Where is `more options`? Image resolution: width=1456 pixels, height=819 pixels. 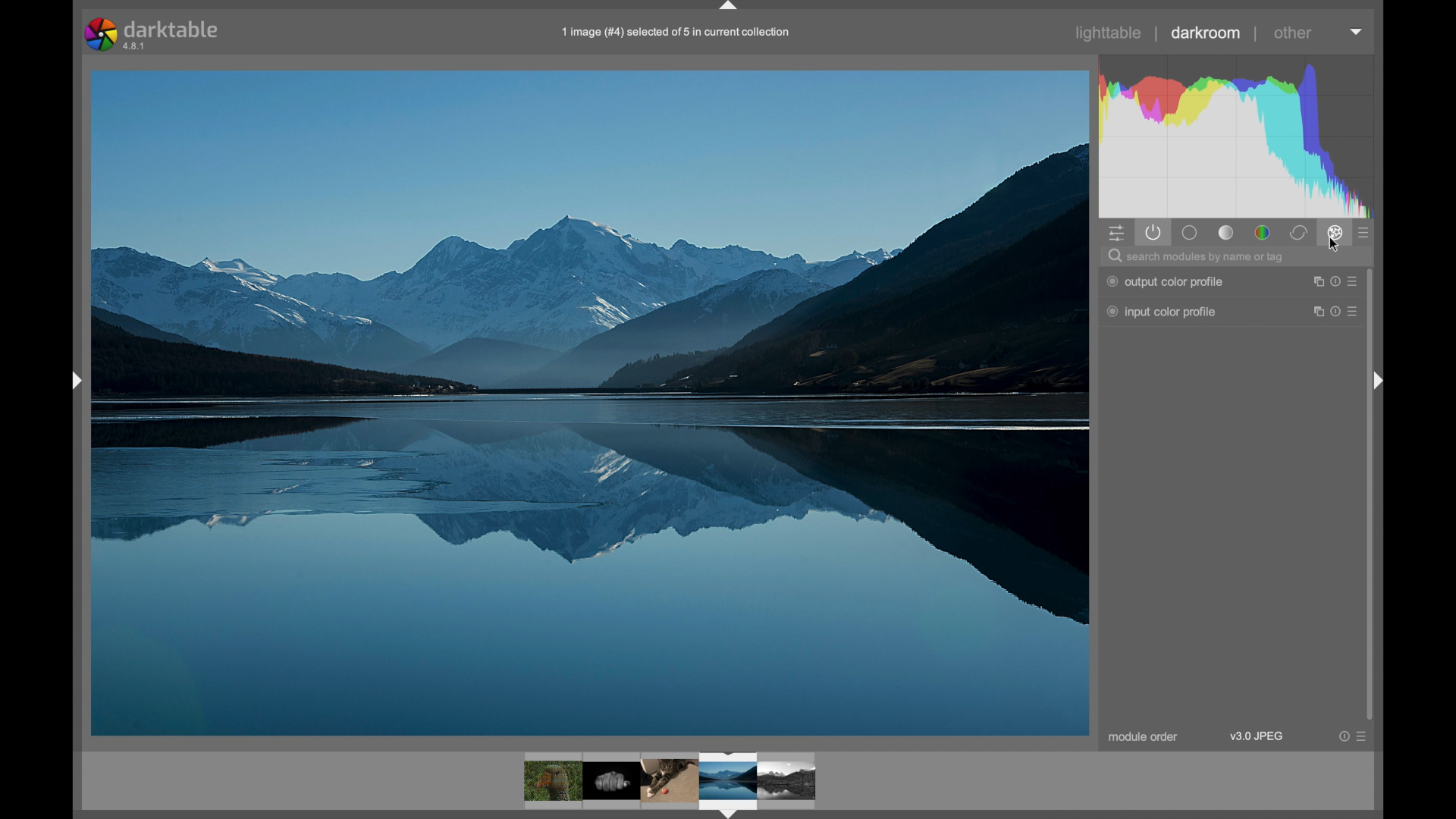 more options is located at coordinates (1357, 32).